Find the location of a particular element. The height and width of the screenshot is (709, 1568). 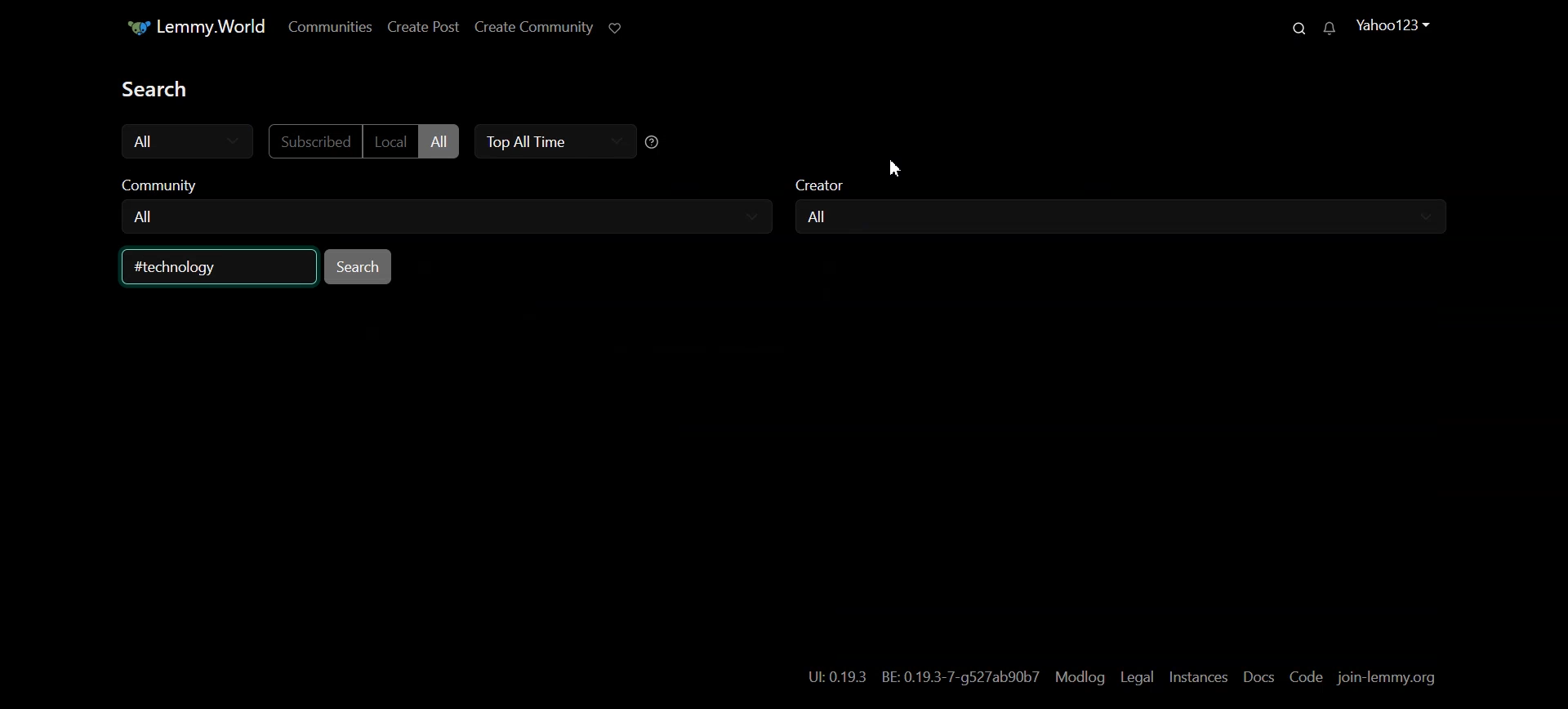

Top All Time is located at coordinates (551, 142).